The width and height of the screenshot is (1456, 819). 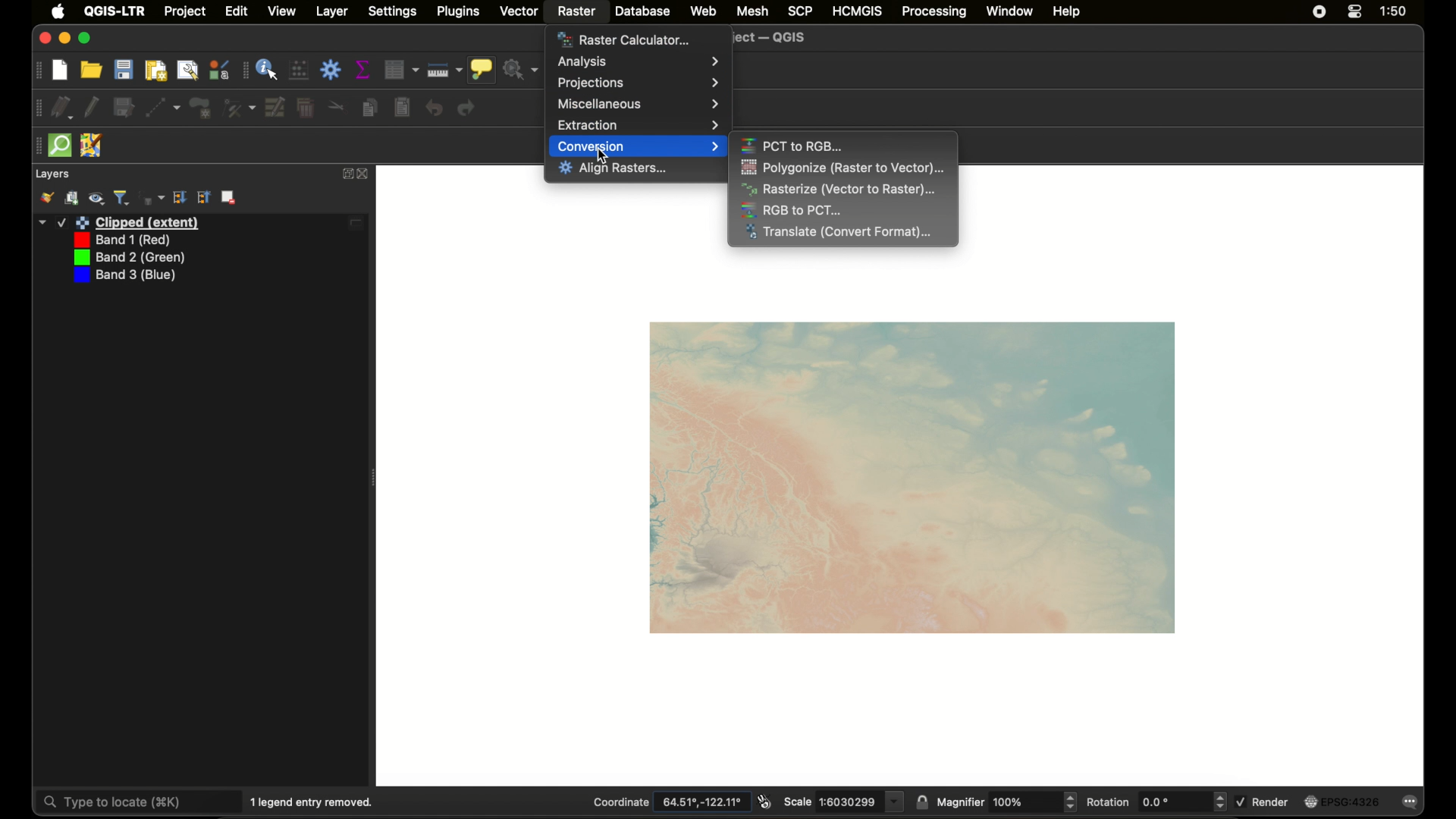 I want to click on close, so click(x=43, y=39).